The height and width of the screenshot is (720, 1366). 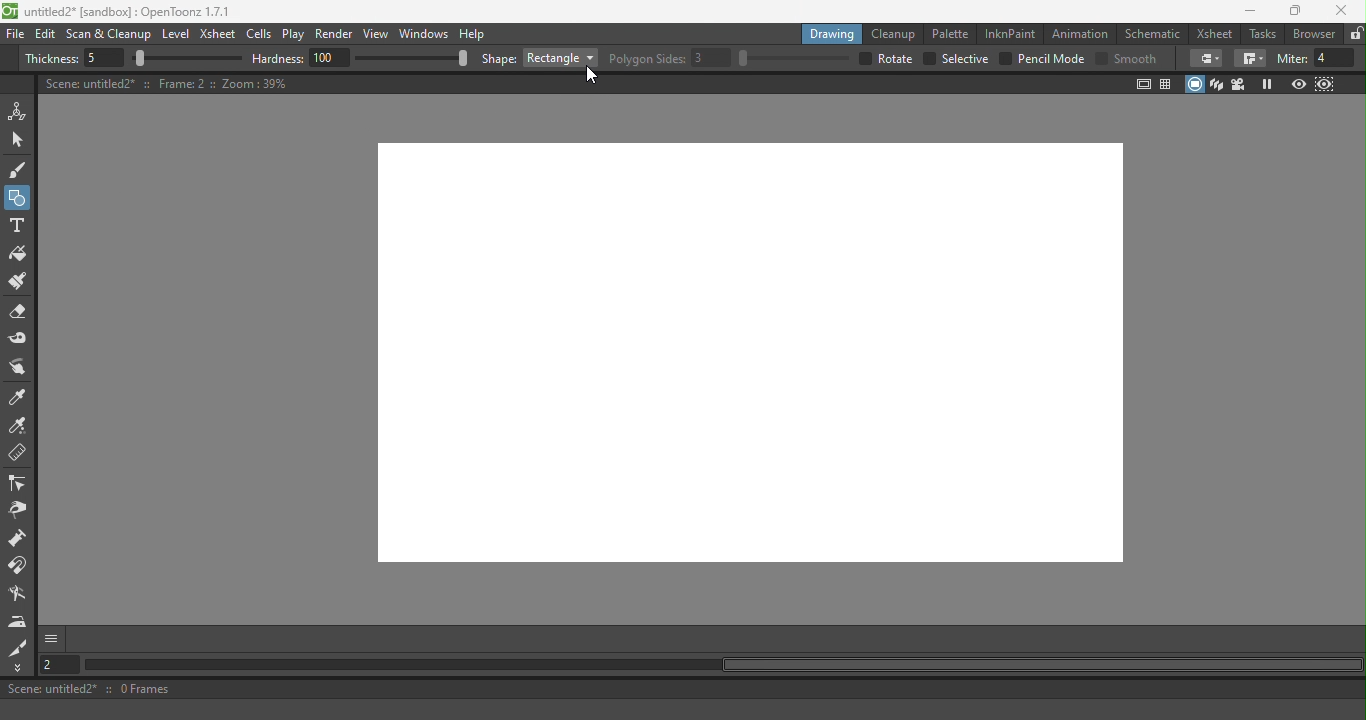 I want to click on Tasks, so click(x=1263, y=34).